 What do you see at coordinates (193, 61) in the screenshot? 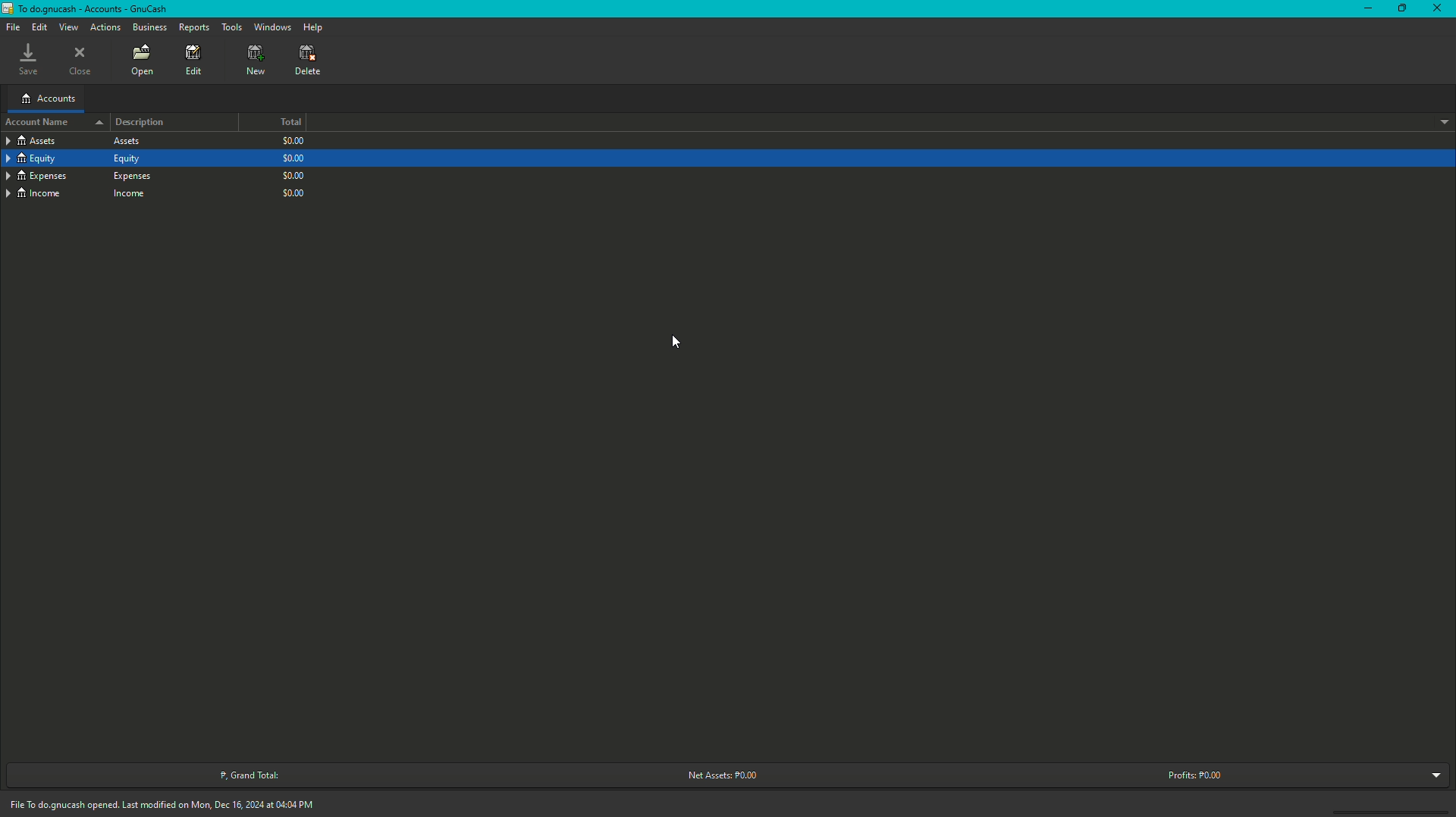
I see `Edit` at bounding box center [193, 61].